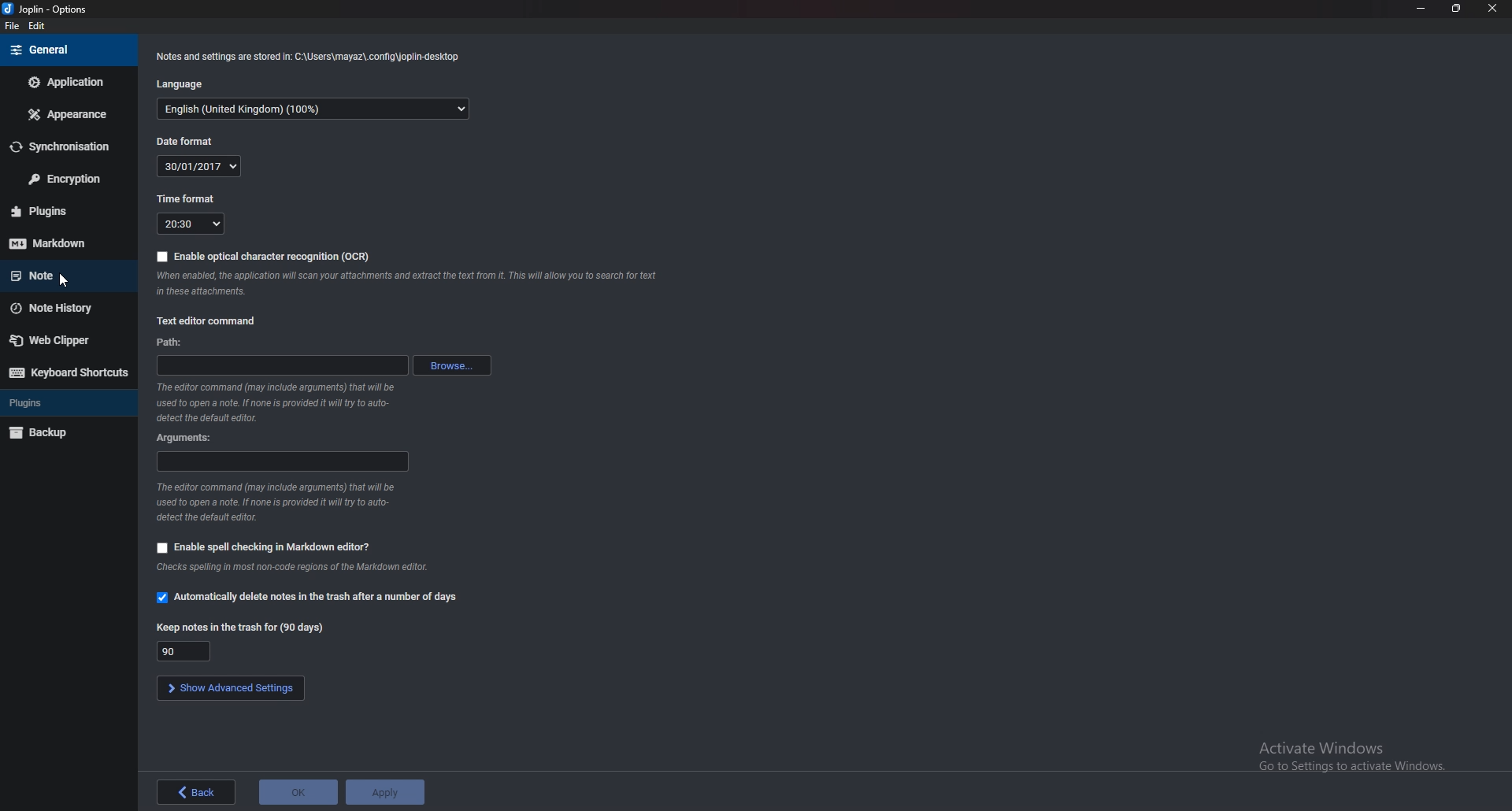 This screenshot has height=811, width=1512. I want to click on Language, so click(313, 109).